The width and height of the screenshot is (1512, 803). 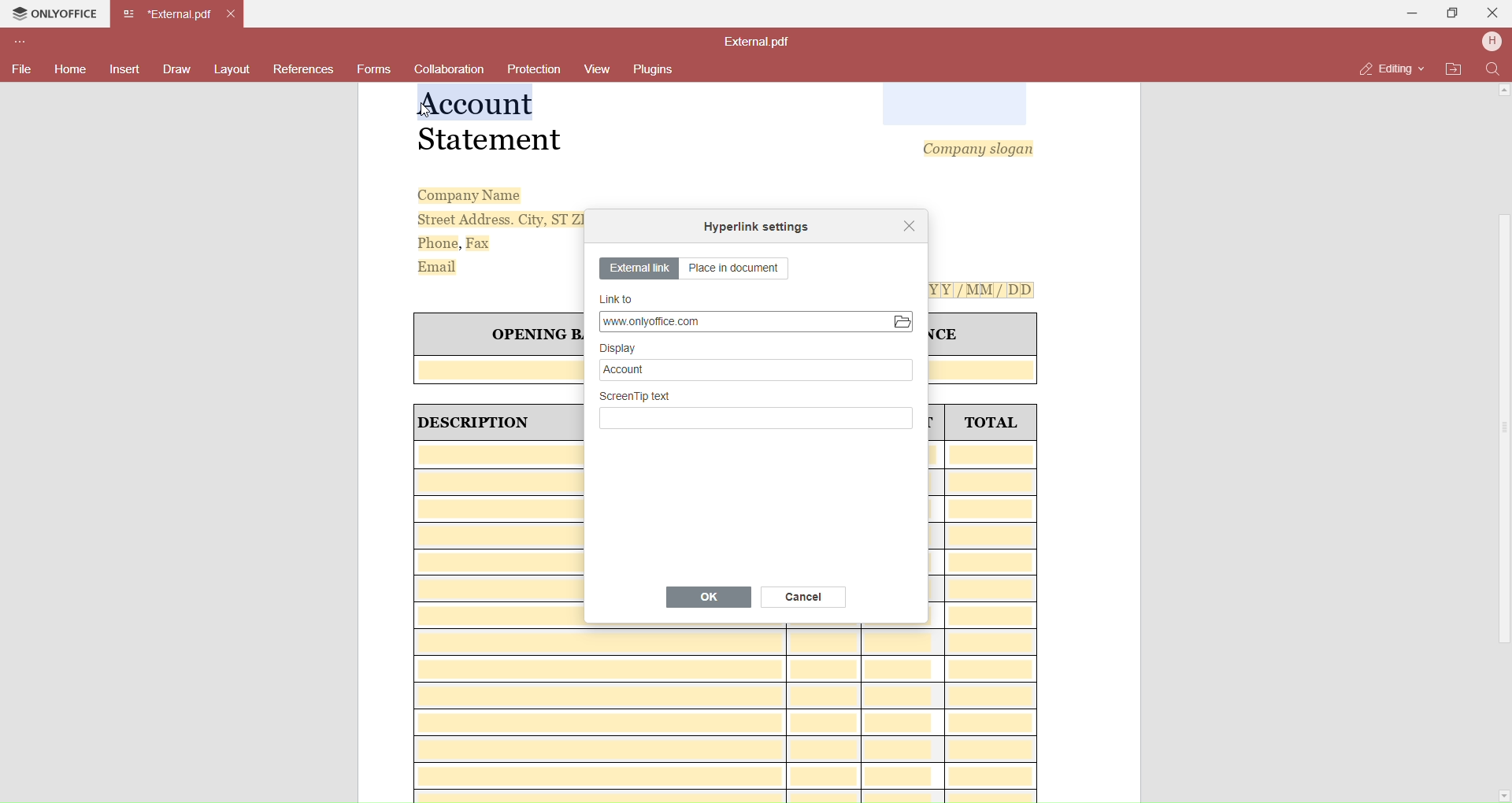 What do you see at coordinates (755, 369) in the screenshot?
I see `Account` at bounding box center [755, 369].